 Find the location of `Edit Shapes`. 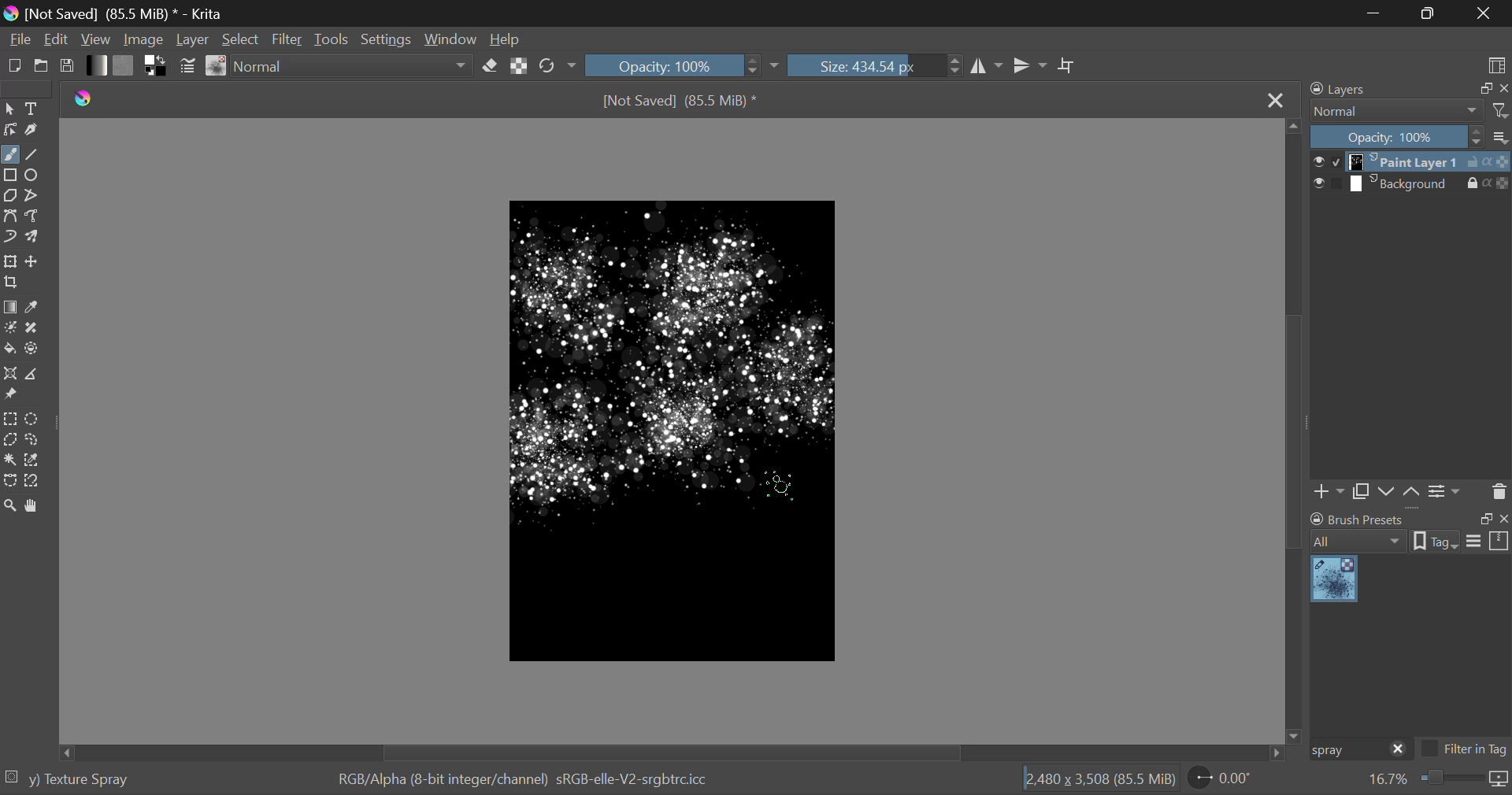

Edit Shapes is located at coordinates (11, 130).